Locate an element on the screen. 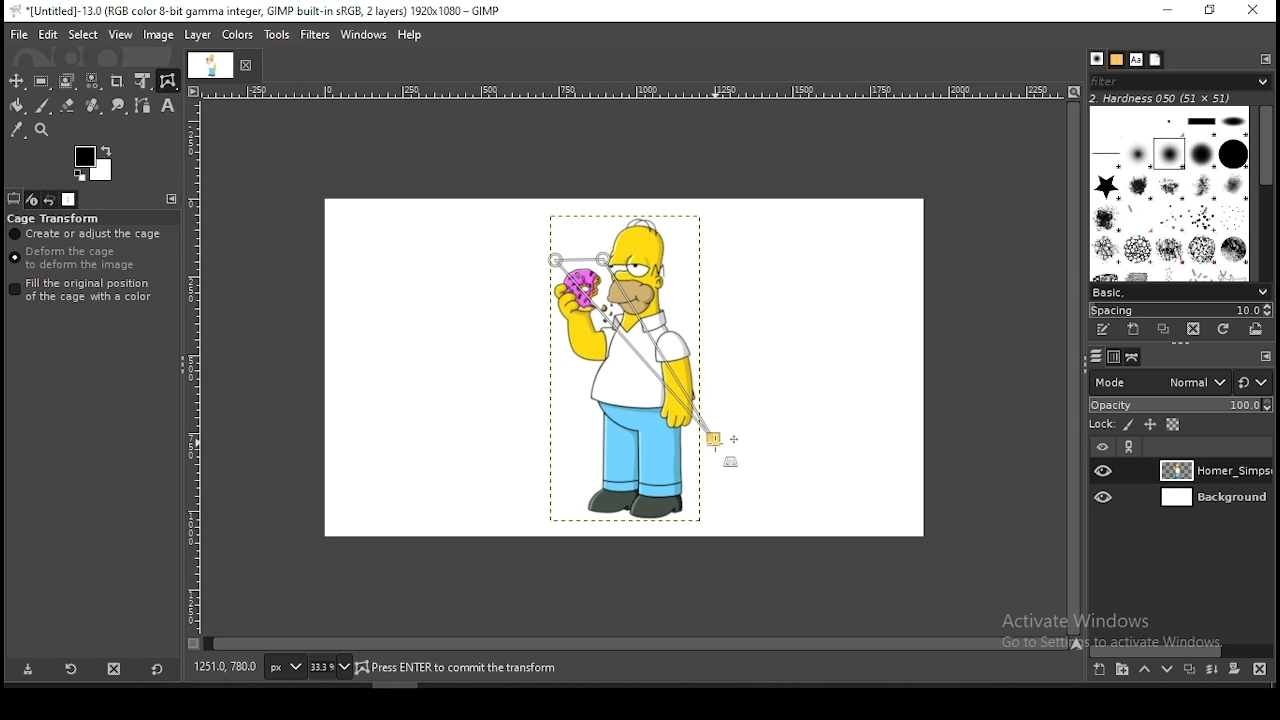  layers is located at coordinates (1093, 356).